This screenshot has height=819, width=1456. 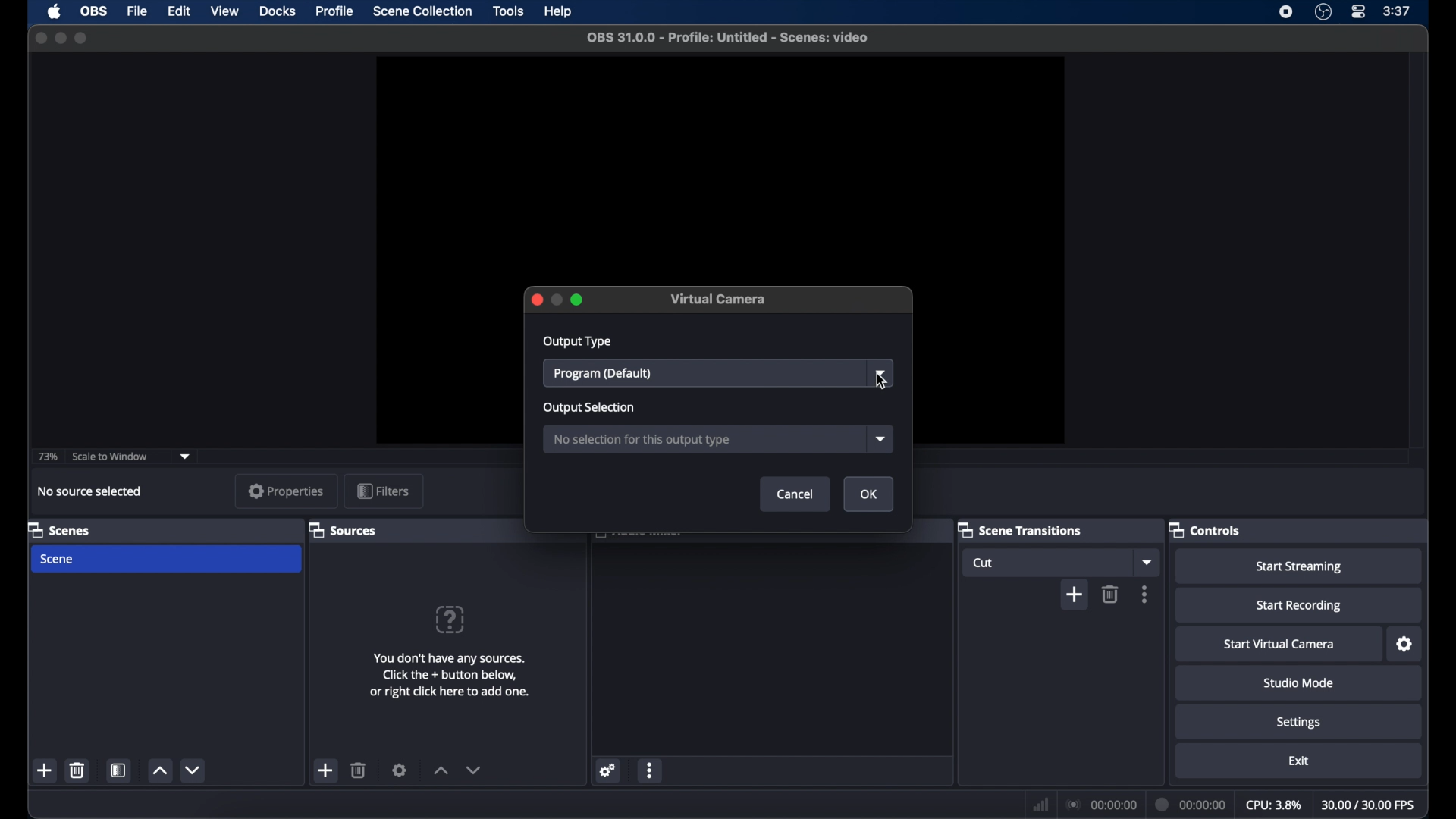 What do you see at coordinates (224, 11) in the screenshot?
I see `view` at bounding box center [224, 11].